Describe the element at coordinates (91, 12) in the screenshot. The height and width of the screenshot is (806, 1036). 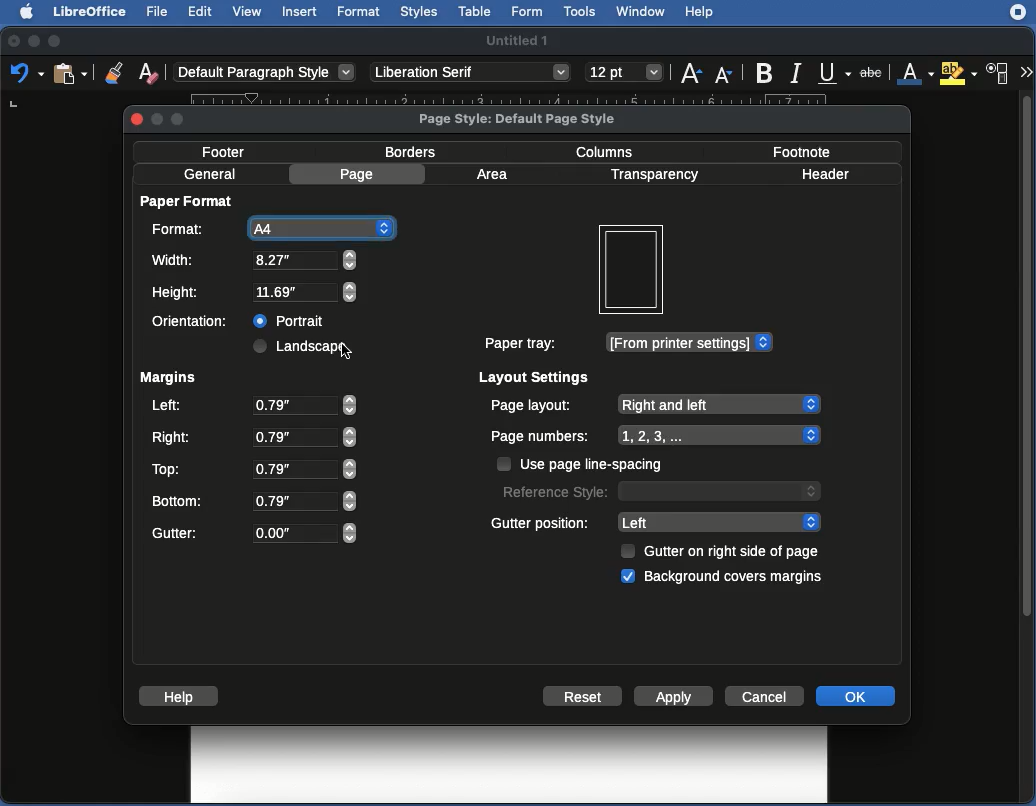
I see `LibreOffice` at that location.